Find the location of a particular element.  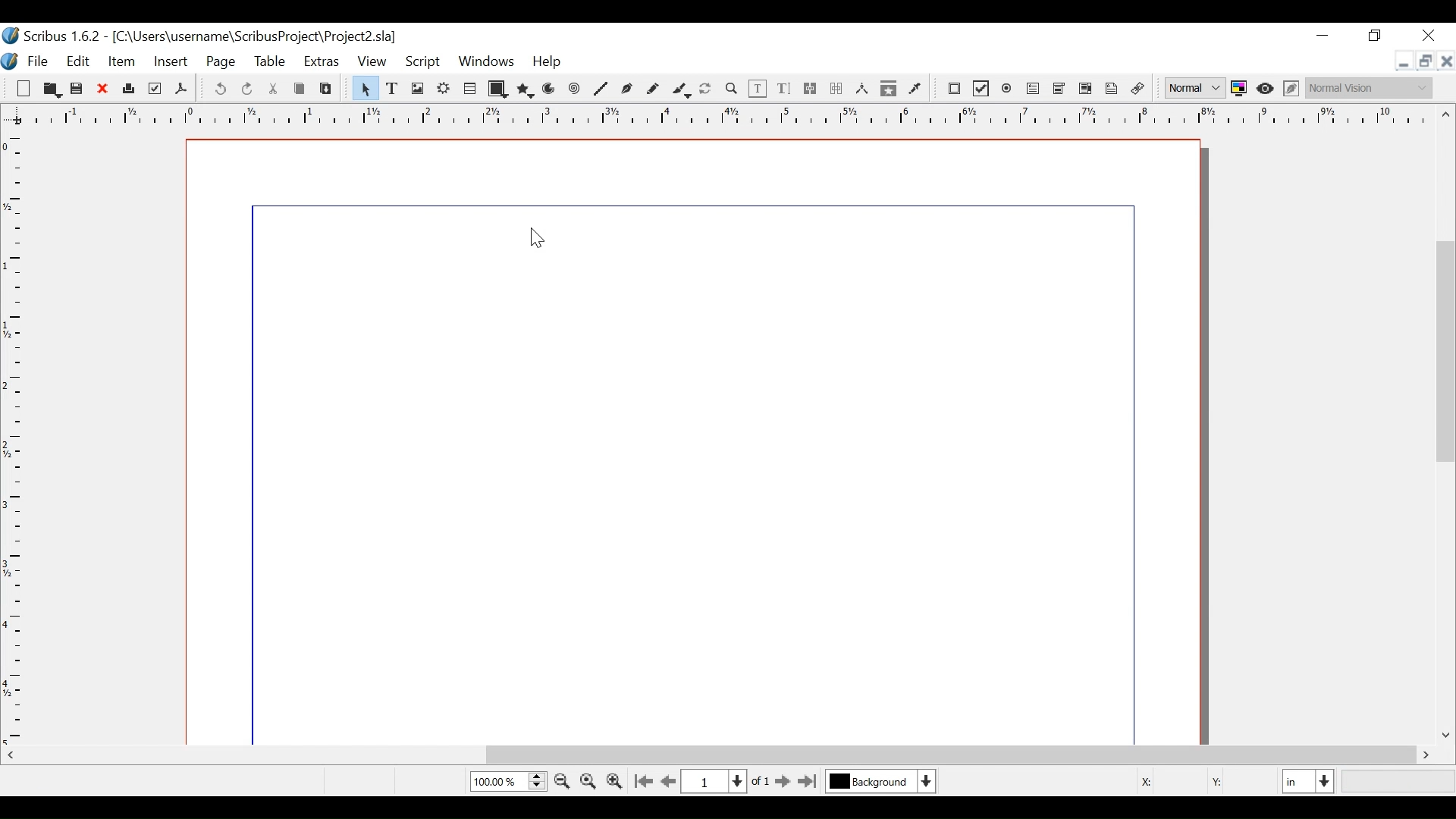

Horizontal Ruler is located at coordinates (716, 118).